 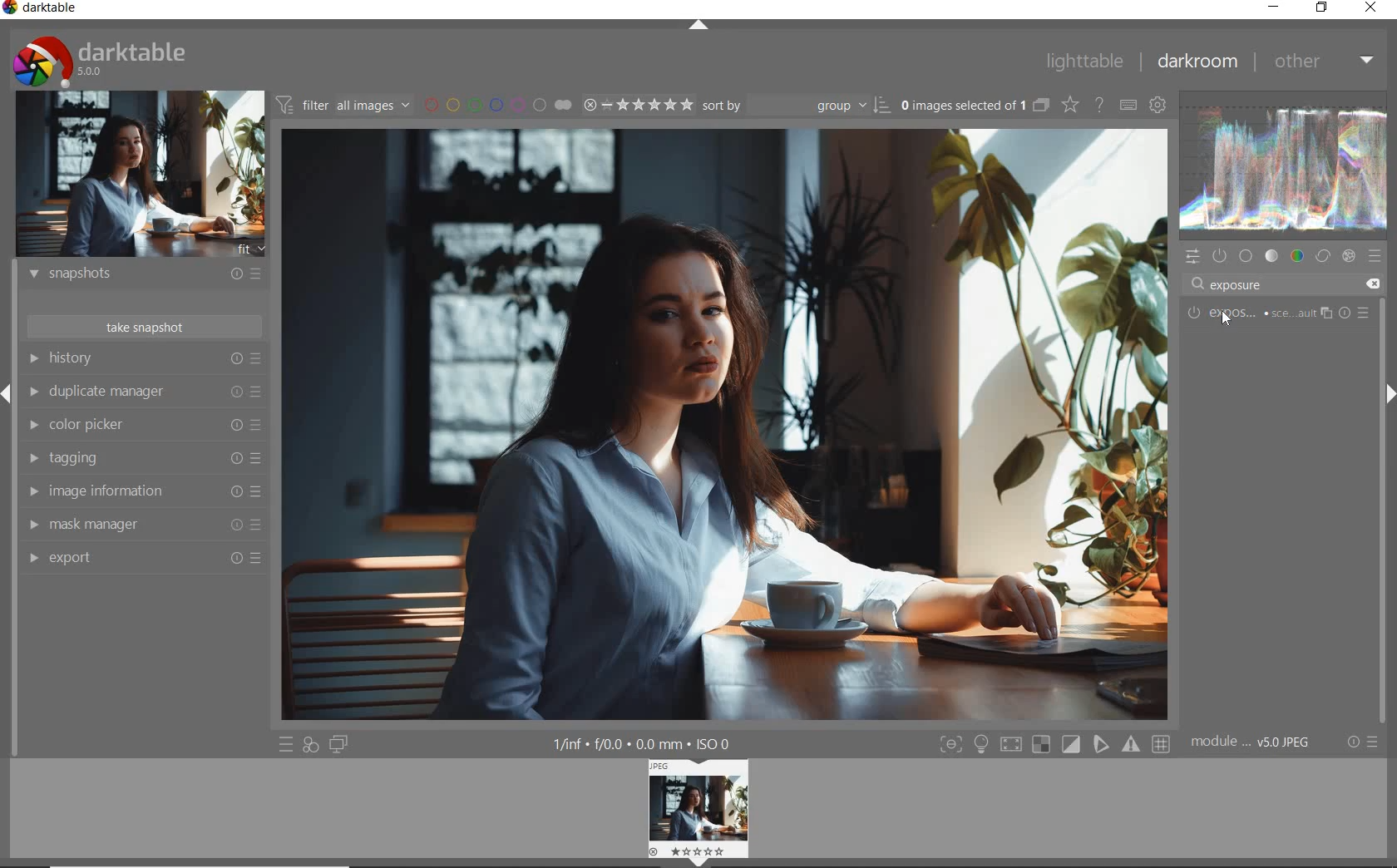 What do you see at coordinates (1376, 284) in the screenshot?
I see `delete` at bounding box center [1376, 284].